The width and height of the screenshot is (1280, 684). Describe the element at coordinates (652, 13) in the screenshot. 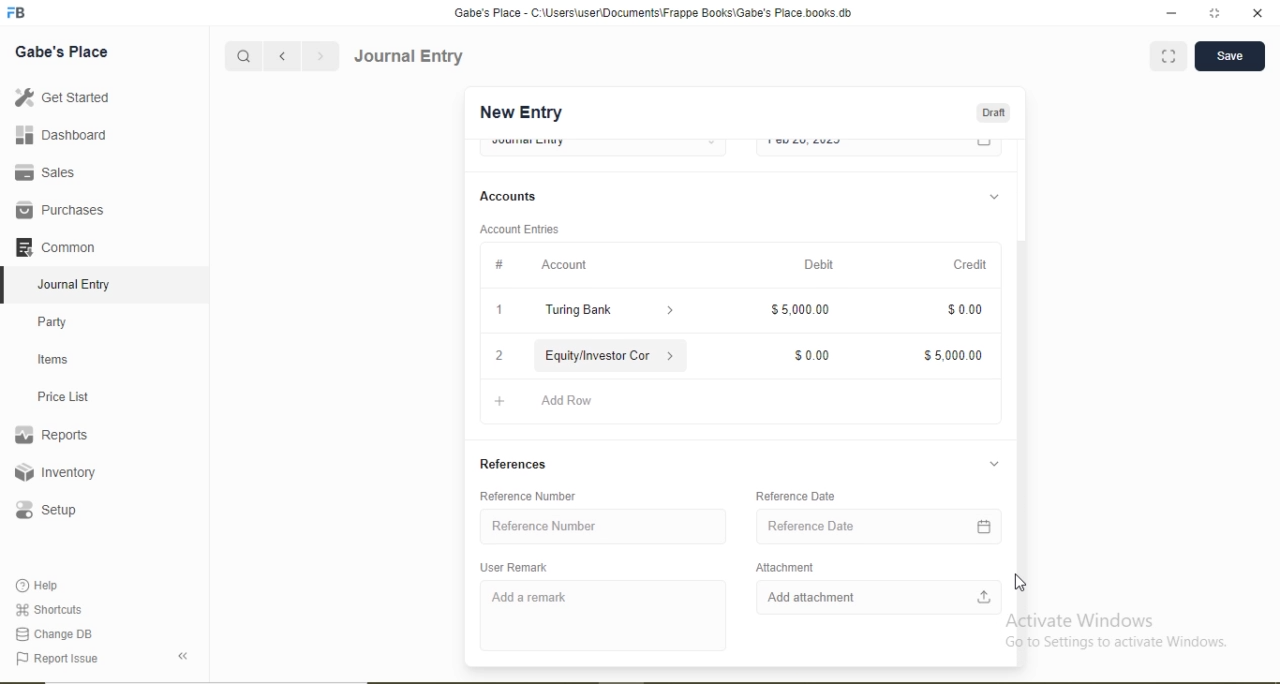

I see `‘Gabe's Place - C:\Users\useriDocuments\Frappe Books\Gabe's Place books db` at that location.